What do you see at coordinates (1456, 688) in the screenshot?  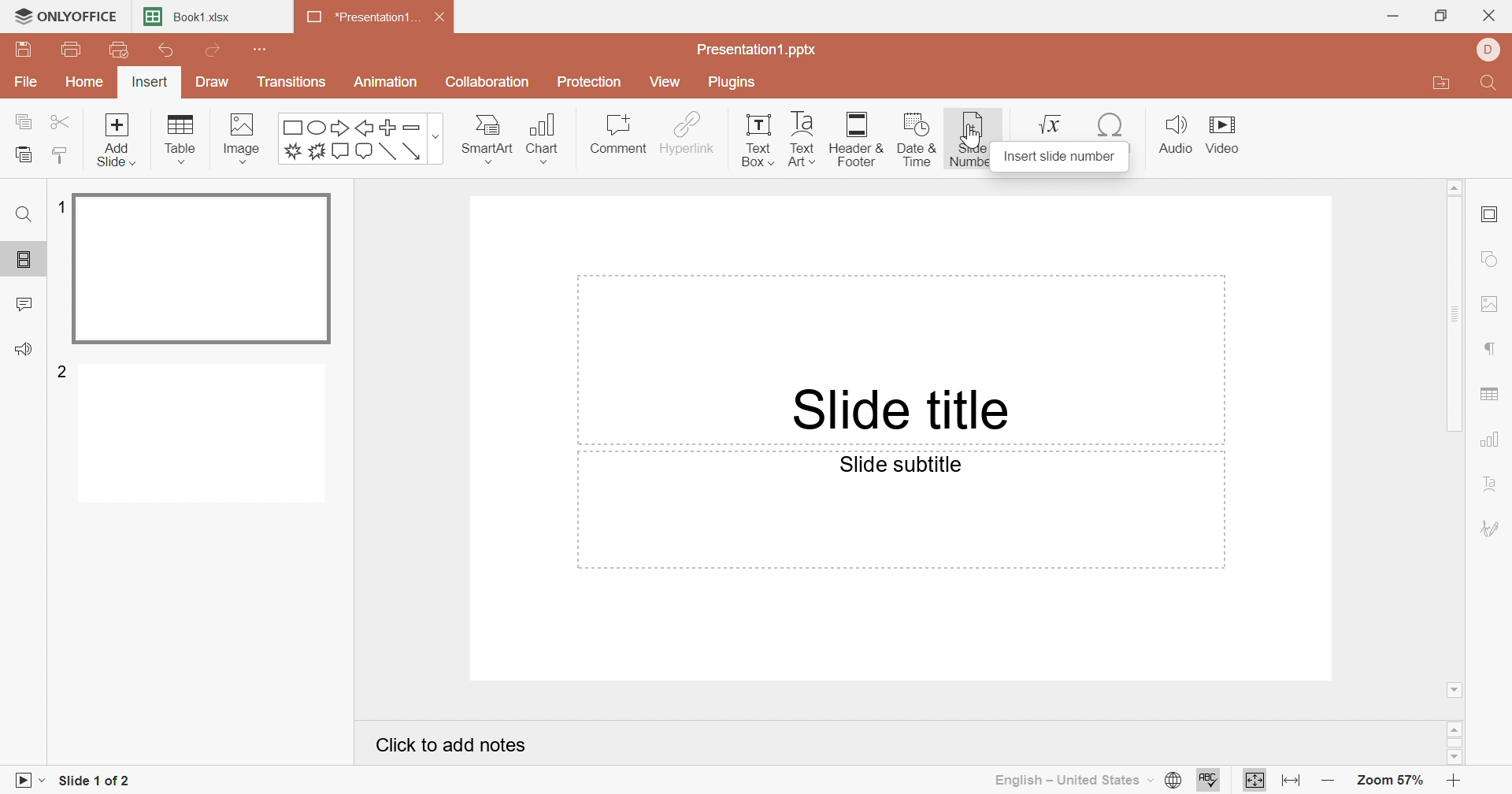 I see `Scroll Down` at bounding box center [1456, 688].